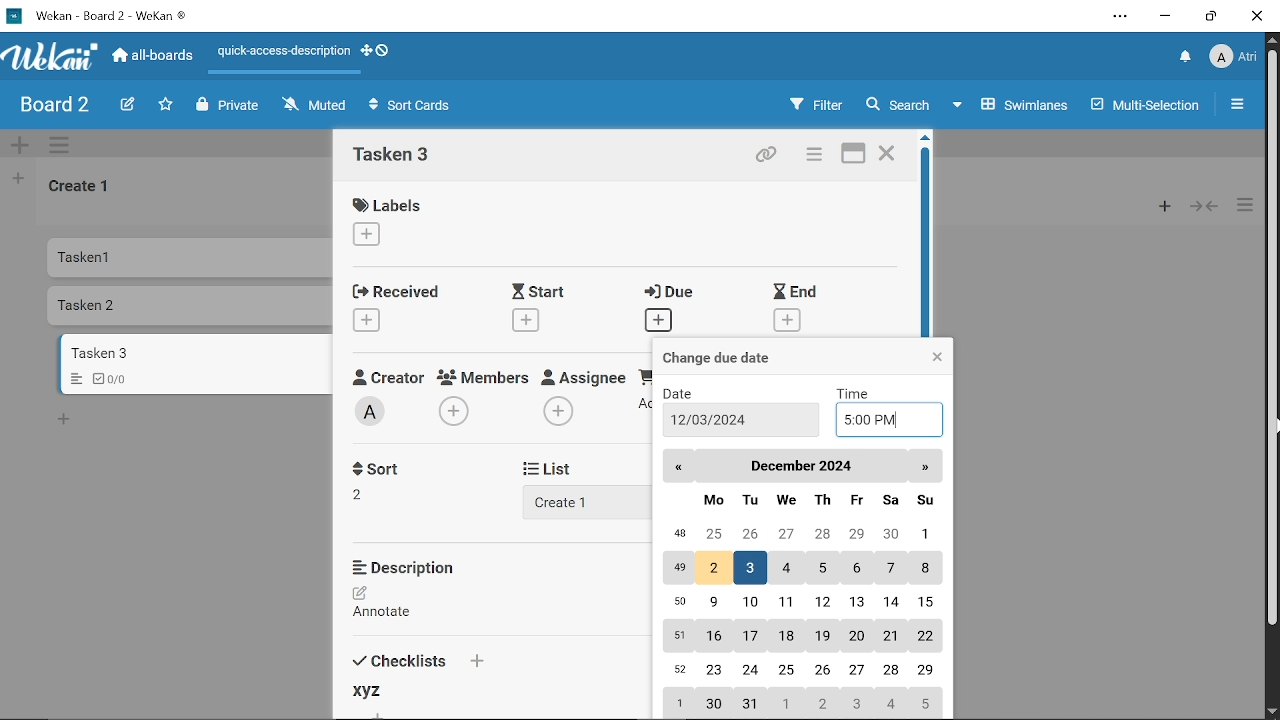 The image size is (1280, 720). I want to click on previous month, so click(679, 469).